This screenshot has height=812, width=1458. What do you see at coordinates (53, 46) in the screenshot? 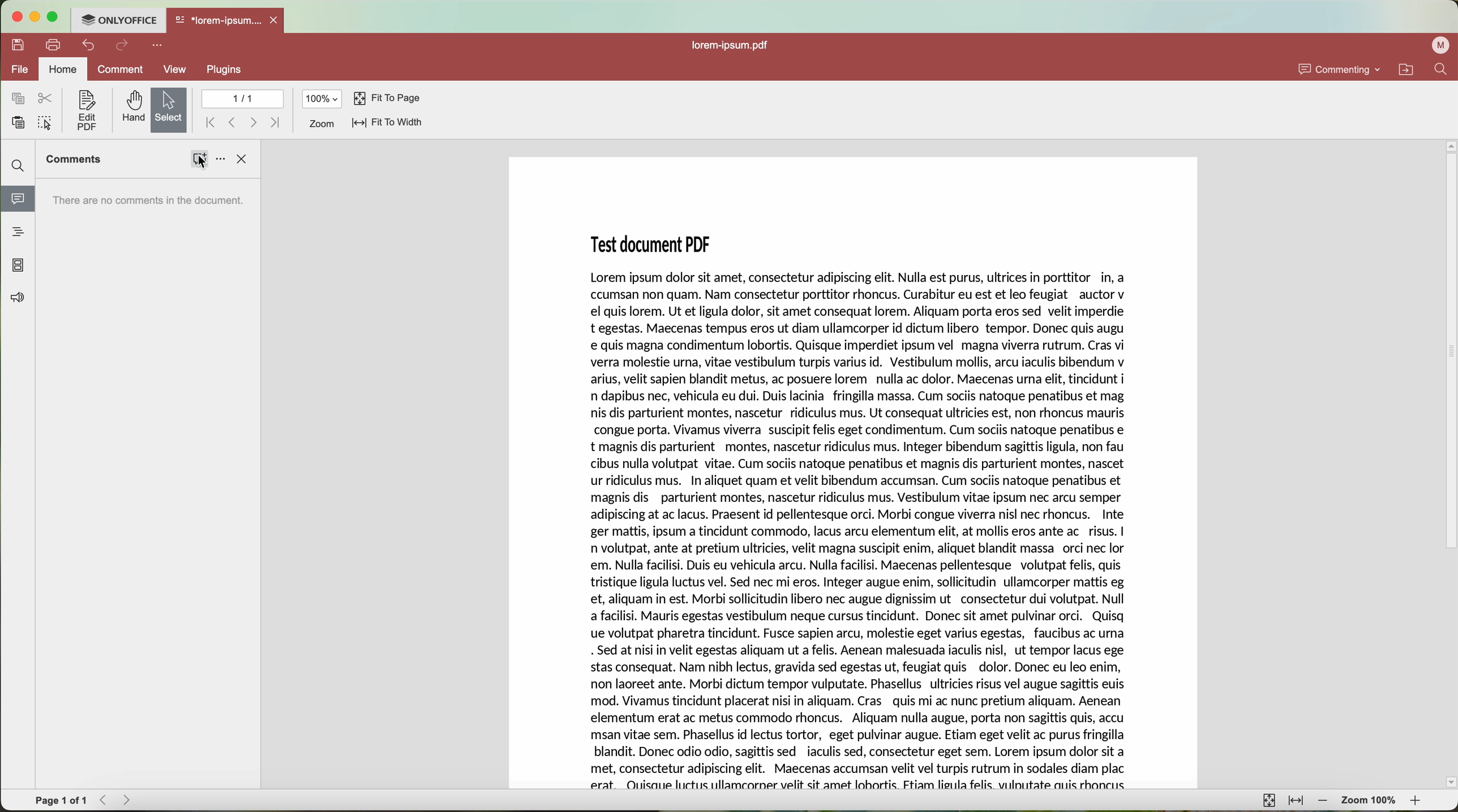
I see `print` at bounding box center [53, 46].